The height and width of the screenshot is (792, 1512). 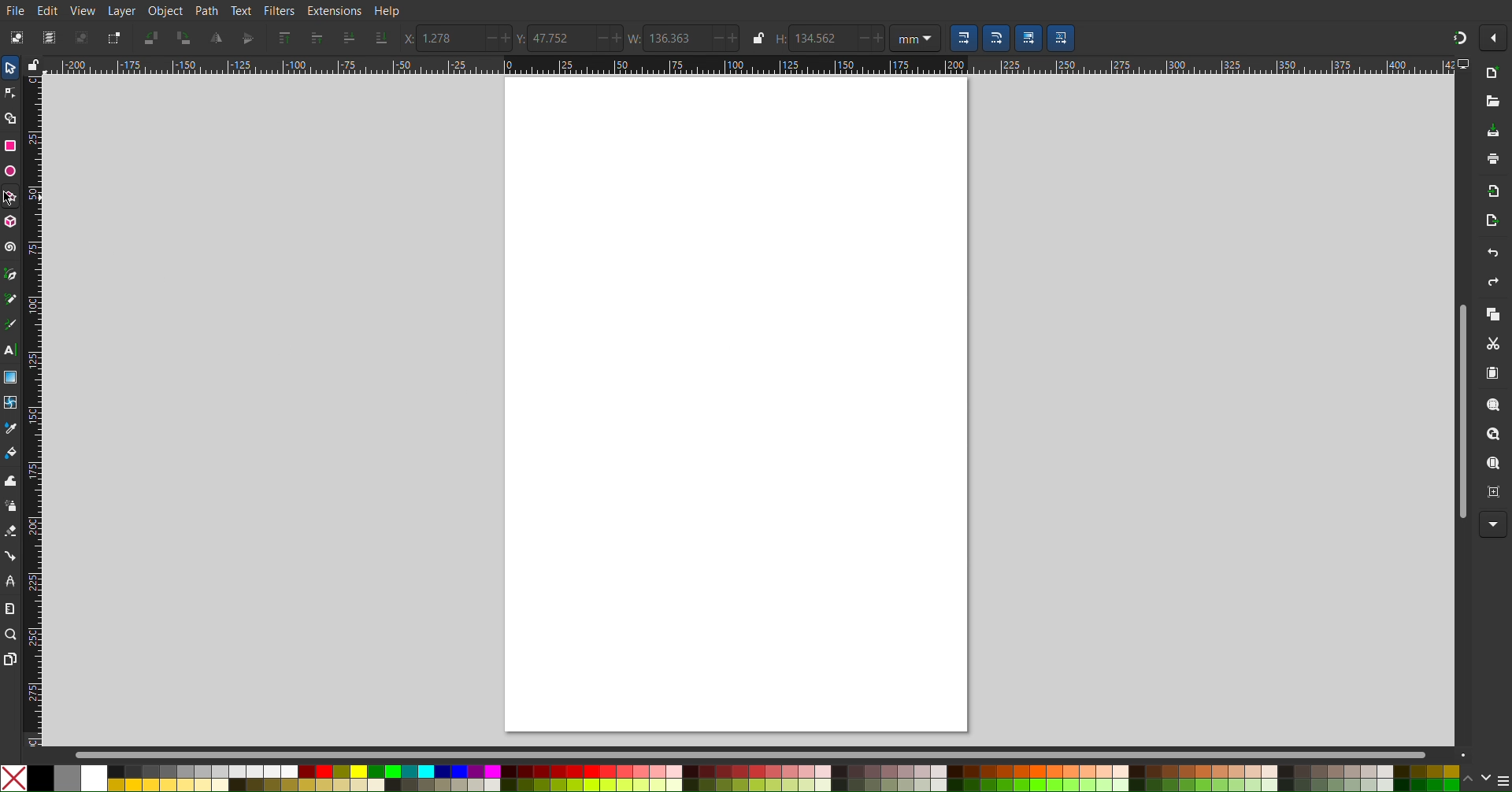 What do you see at coordinates (381, 39) in the screenshot?
I see `Send to the bottom` at bounding box center [381, 39].